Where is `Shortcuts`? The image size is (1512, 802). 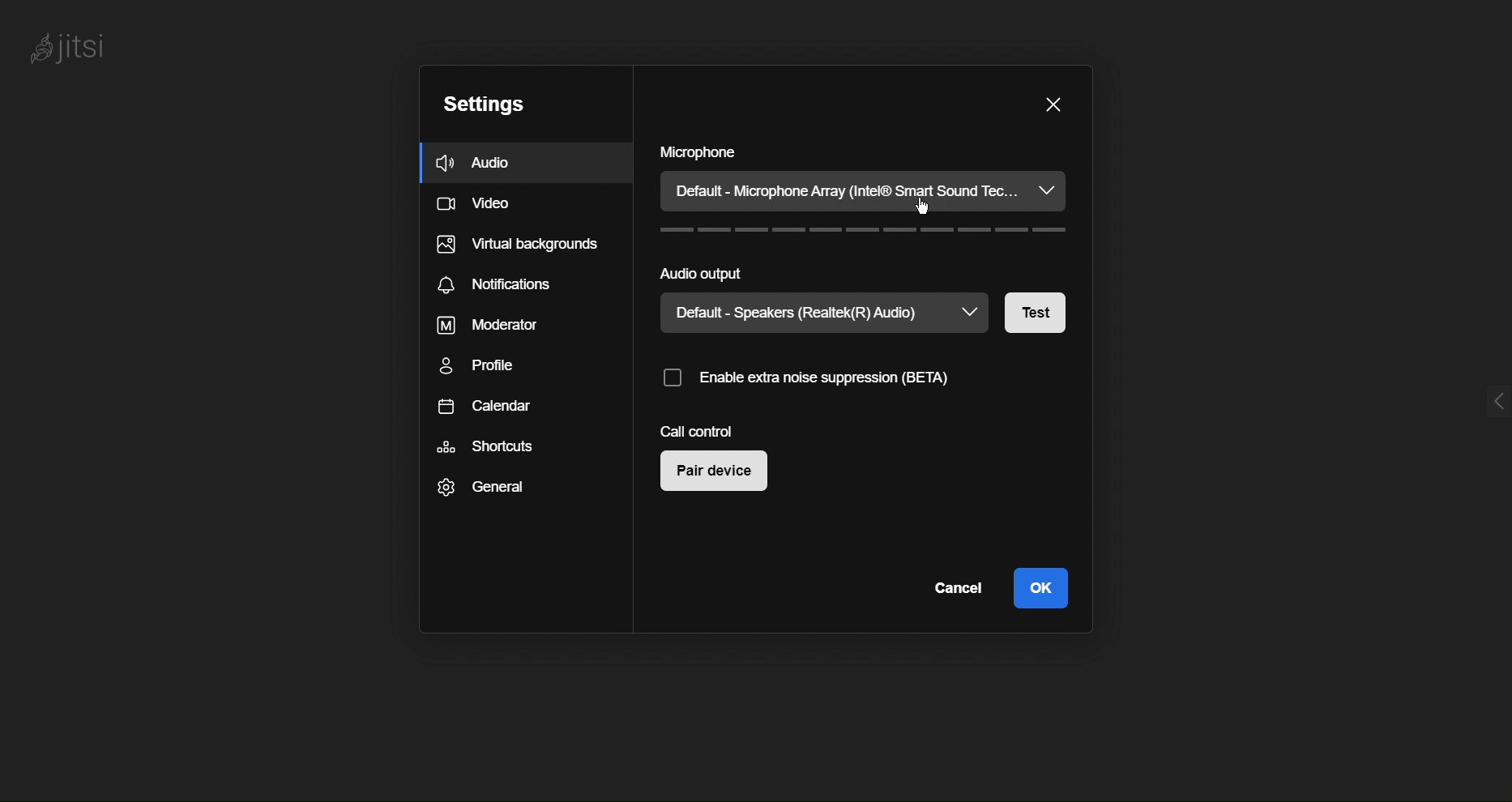
Shortcuts is located at coordinates (491, 445).